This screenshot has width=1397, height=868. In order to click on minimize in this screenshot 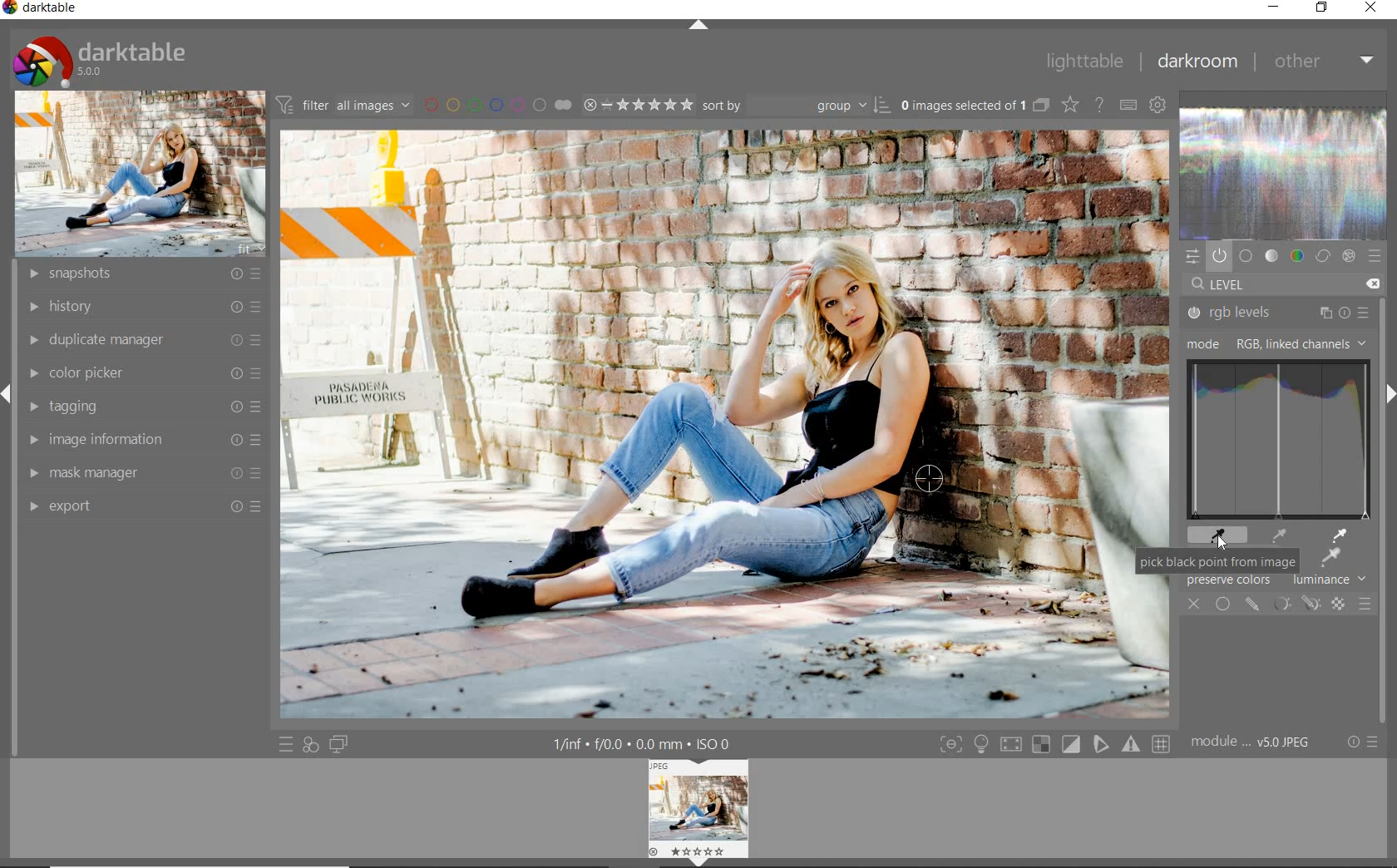, I will do `click(1274, 8)`.